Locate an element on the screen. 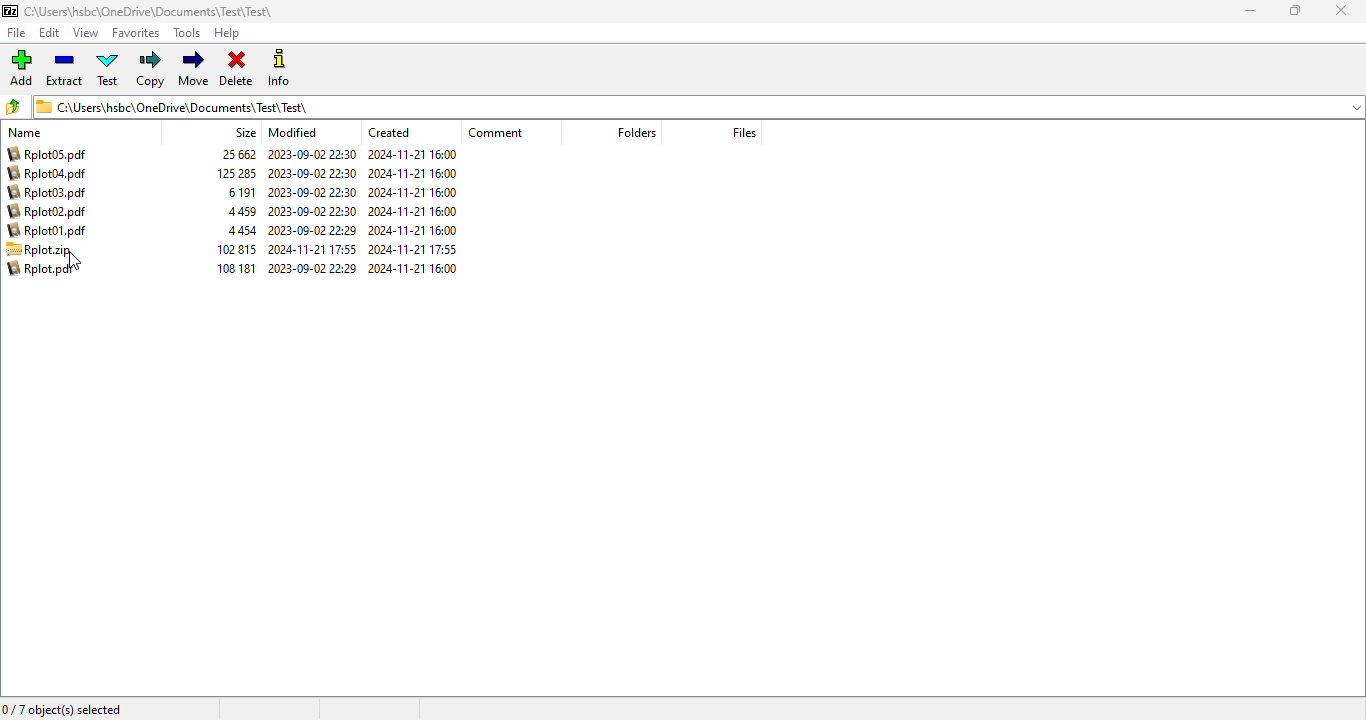 The width and height of the screenshot is (1366, 720). info is located at coordinates (278, 67).